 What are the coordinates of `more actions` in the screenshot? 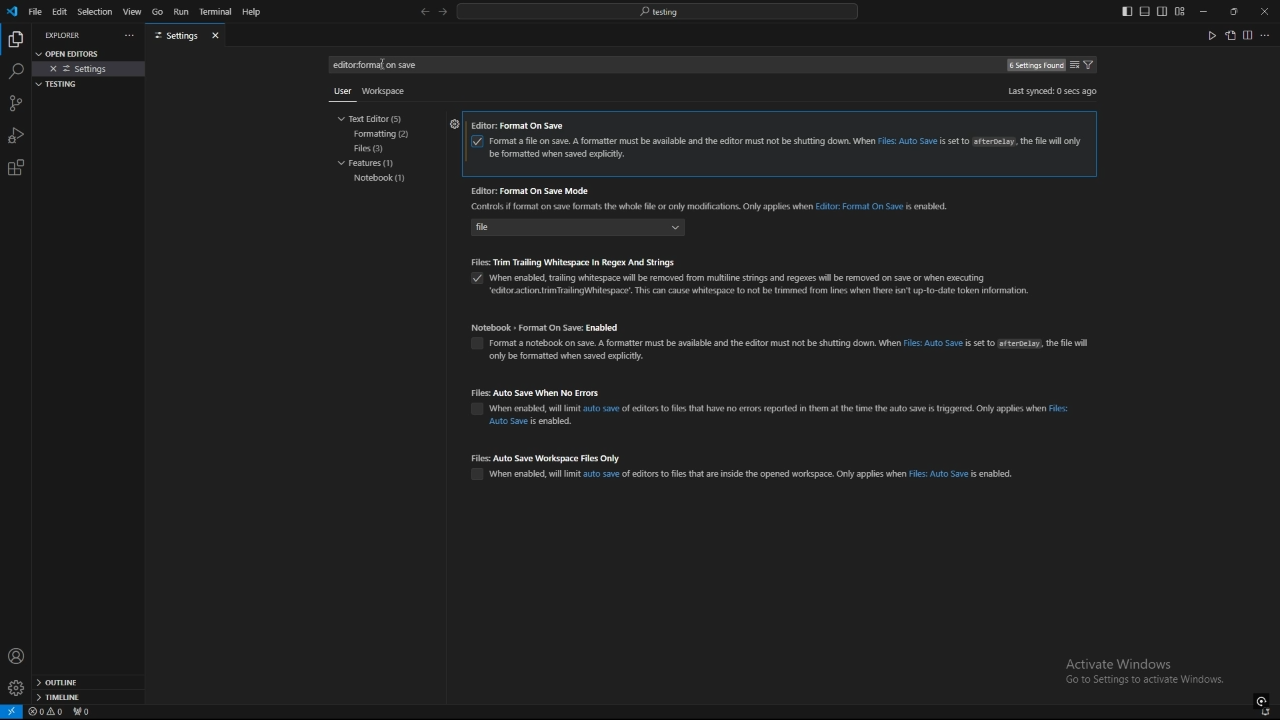 It's located at (127, 36).